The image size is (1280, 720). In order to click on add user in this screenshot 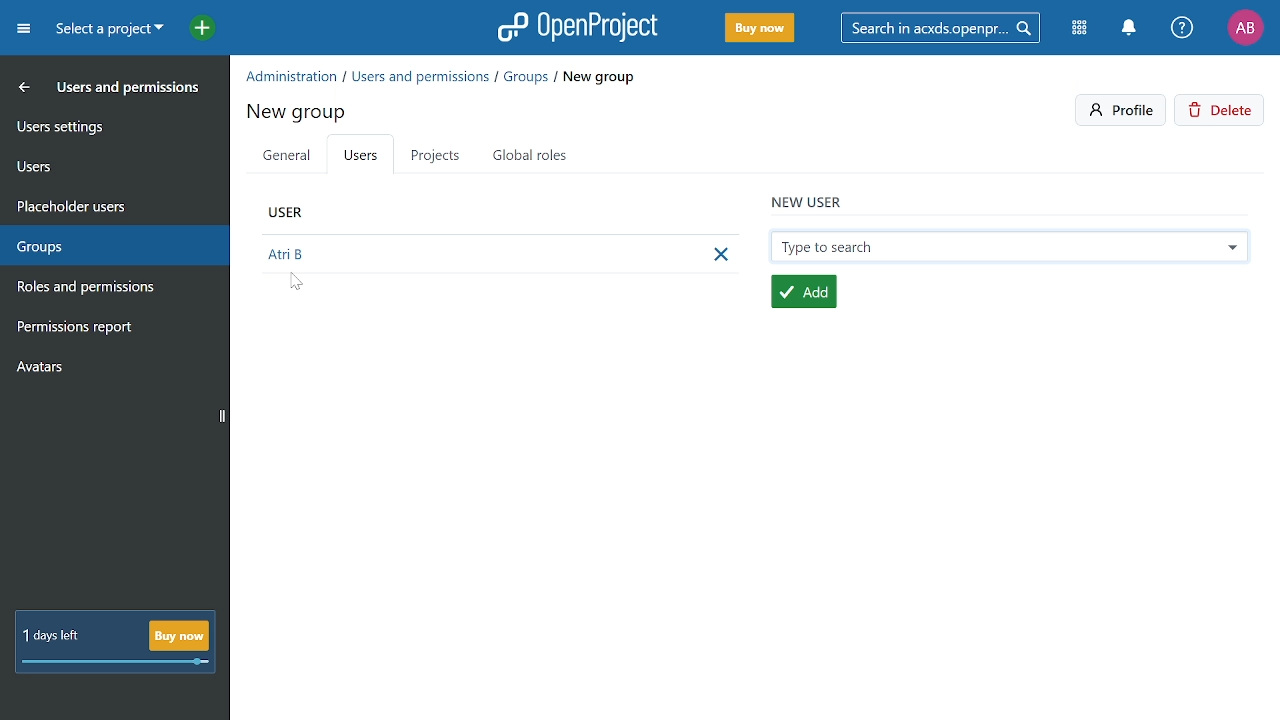, I will do `click(802, 290)`.